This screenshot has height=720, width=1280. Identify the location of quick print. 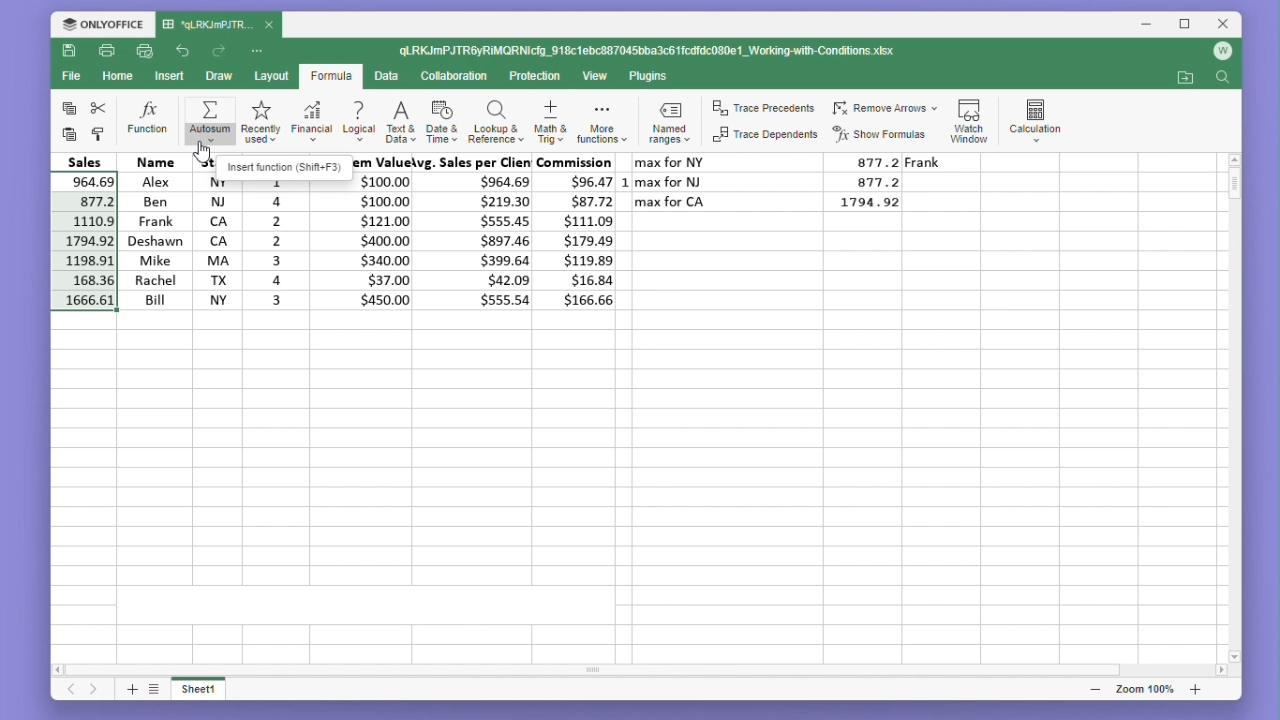
(142, 50).